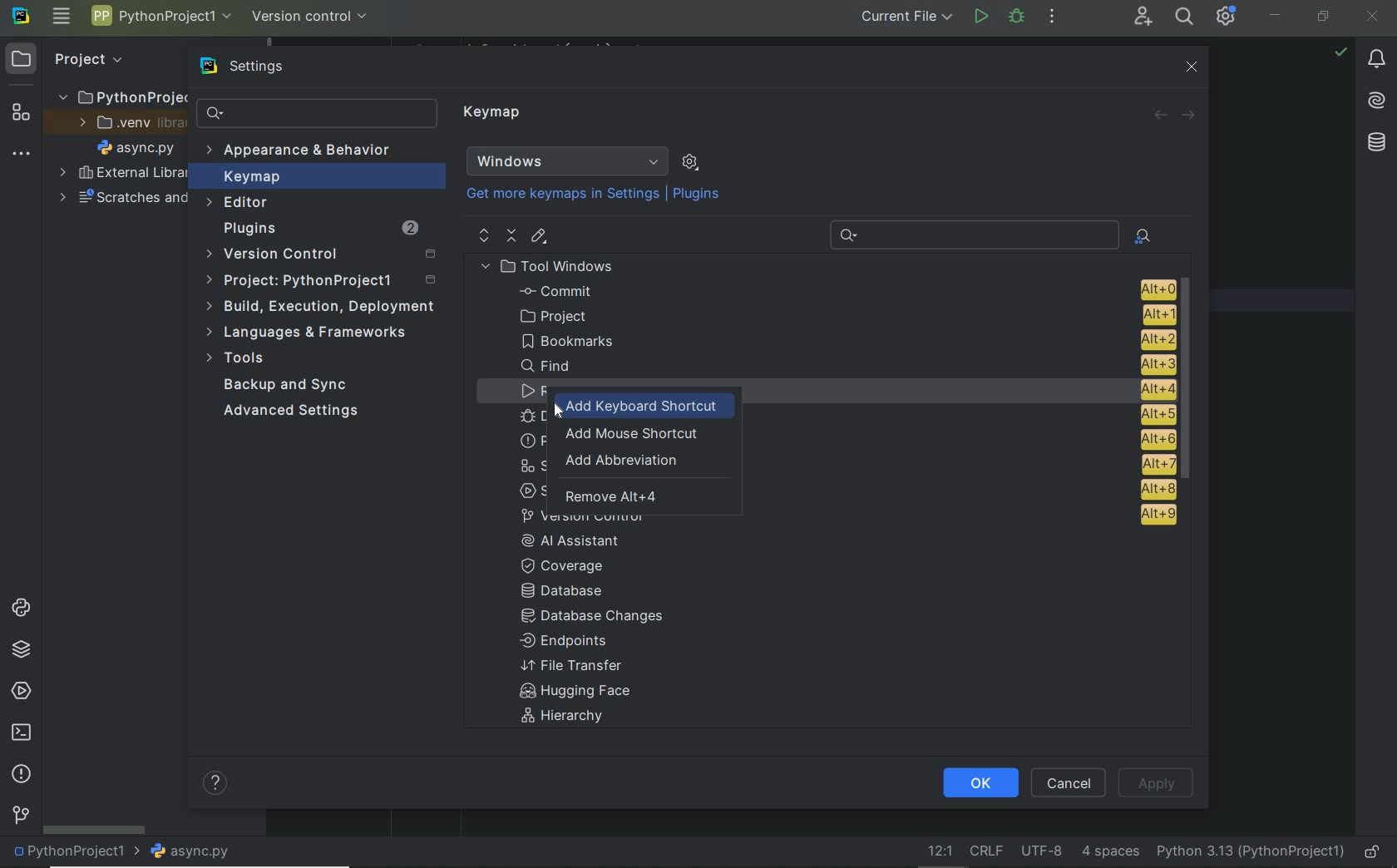  Describe the element at coordinates (19, 608) in the screenshot. I see `python consoles` at that location.